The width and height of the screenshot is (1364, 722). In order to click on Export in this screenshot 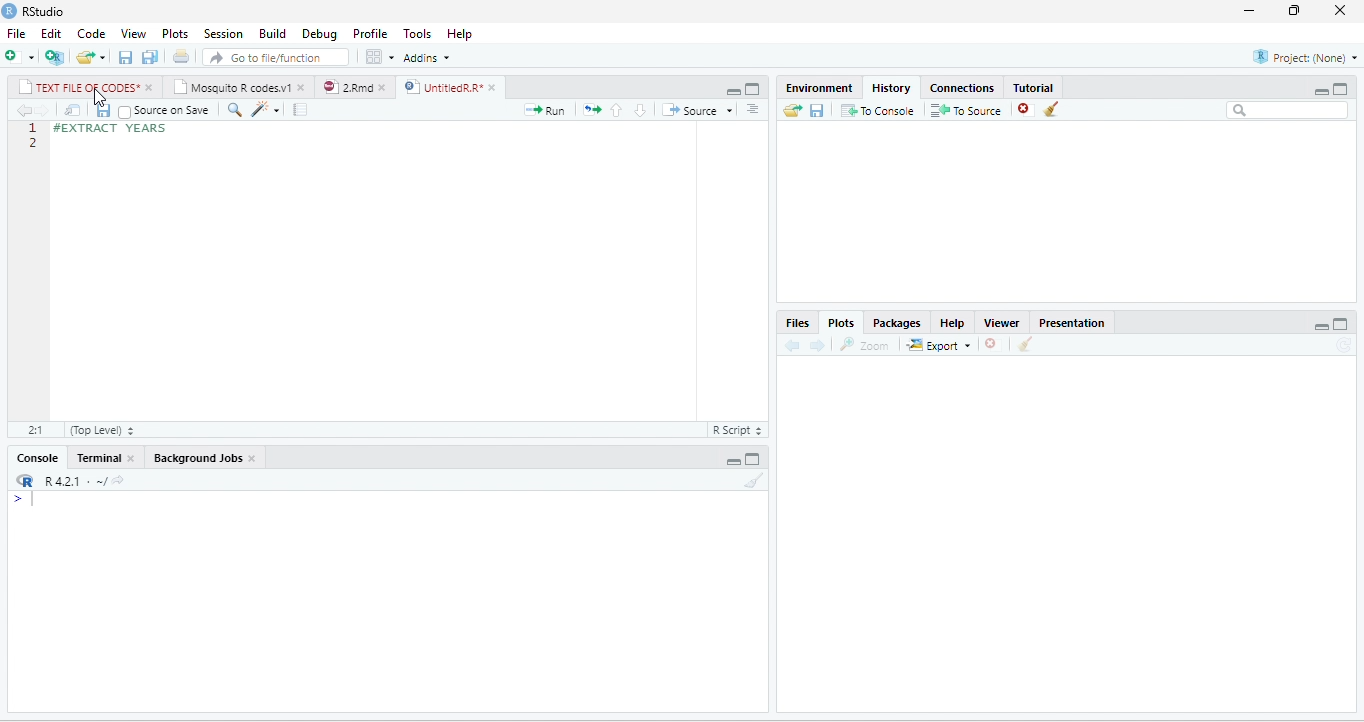, I will do `click(940, 344)`.